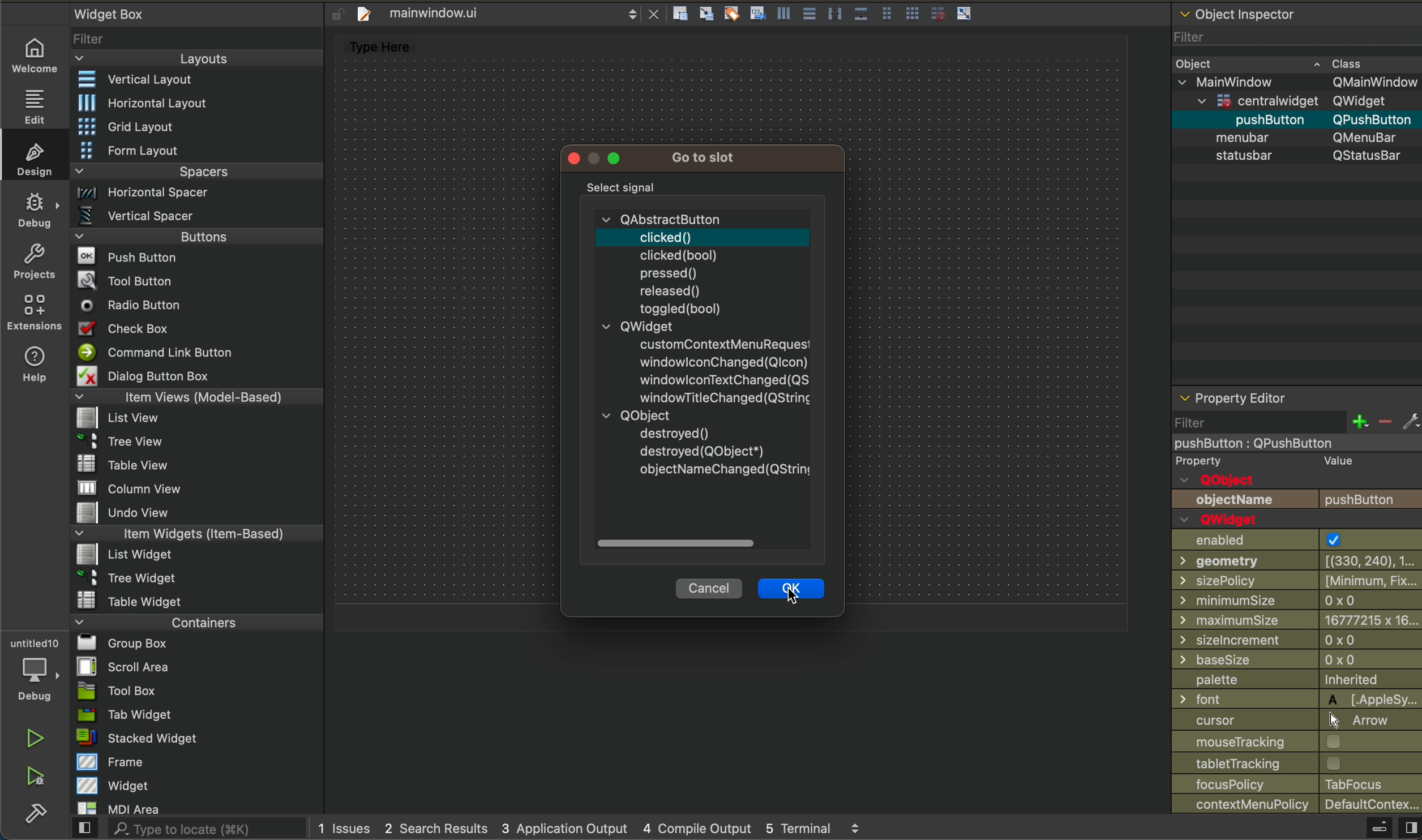 Image resolution: width=1422 pixels, height=840 pixels. Describe the element at coordinates (1297, 764) in the screenshot. I see `tracking` at that location.